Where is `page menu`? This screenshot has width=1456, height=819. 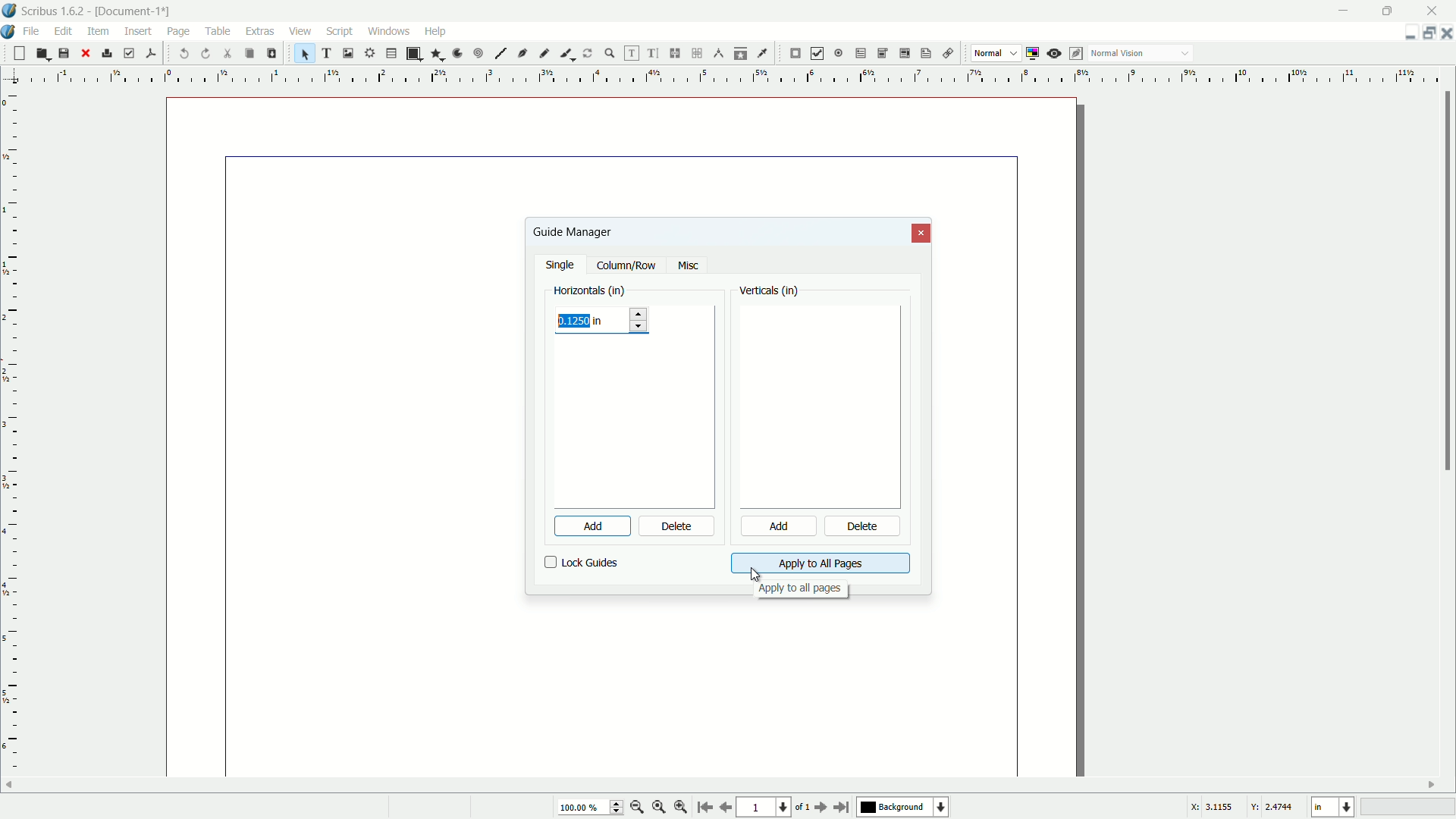 page menu is located at coordinates (178, 29).